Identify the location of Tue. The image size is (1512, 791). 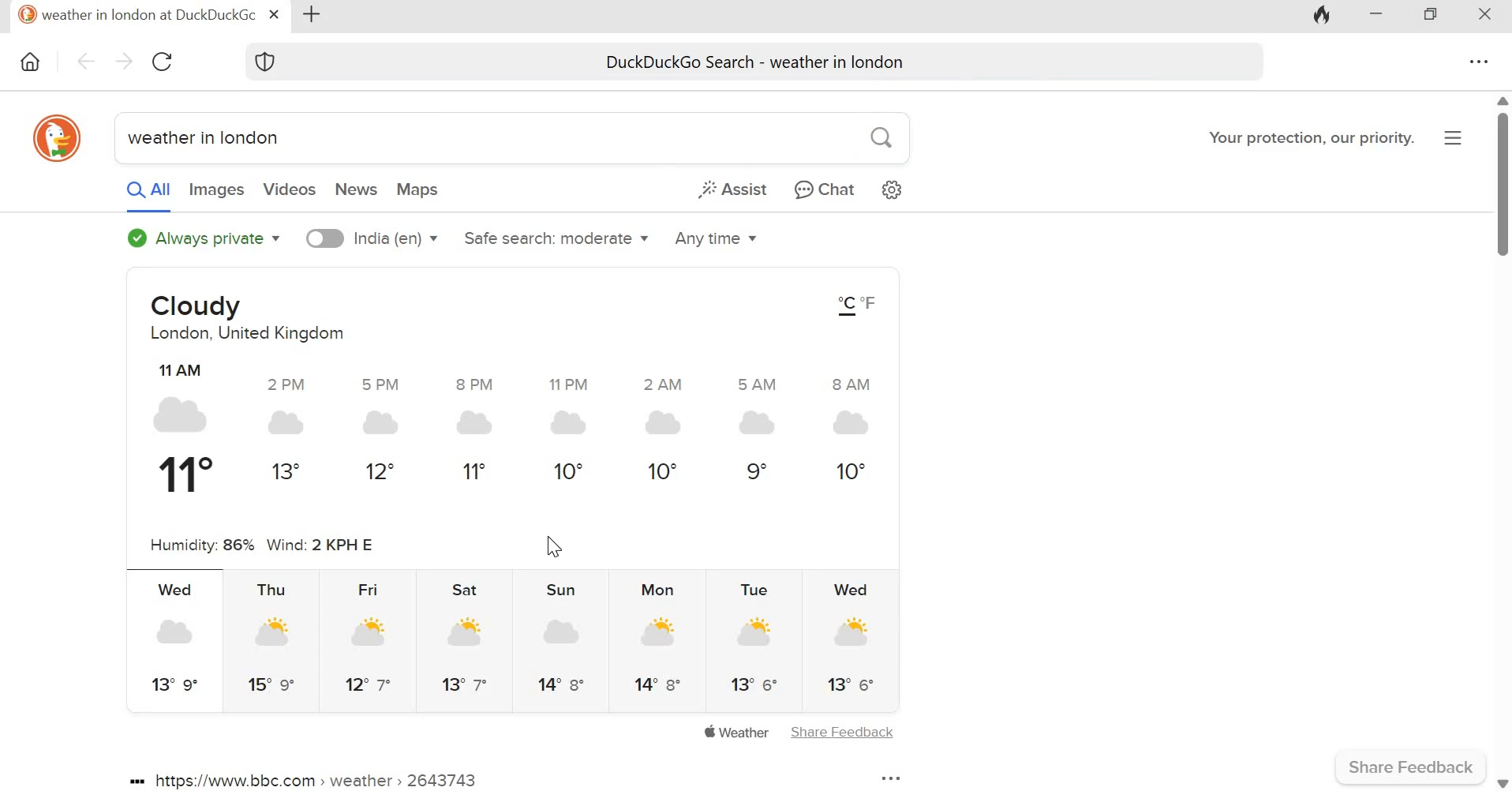
(754, 590).